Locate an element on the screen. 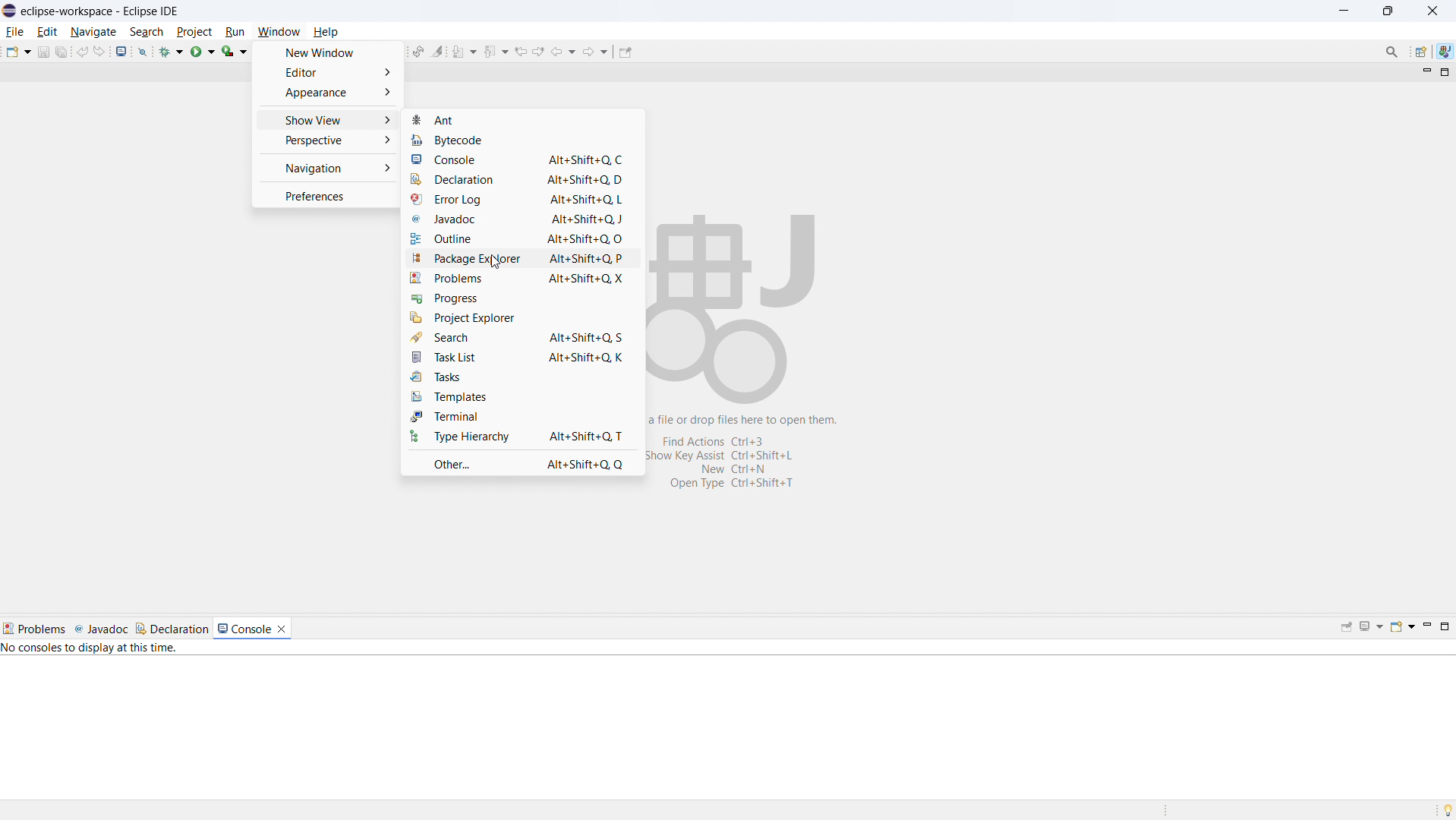 Image resolution: width=1456 pixels, height=820 pixels. previous annotation  is located at coordinates (496, 52).